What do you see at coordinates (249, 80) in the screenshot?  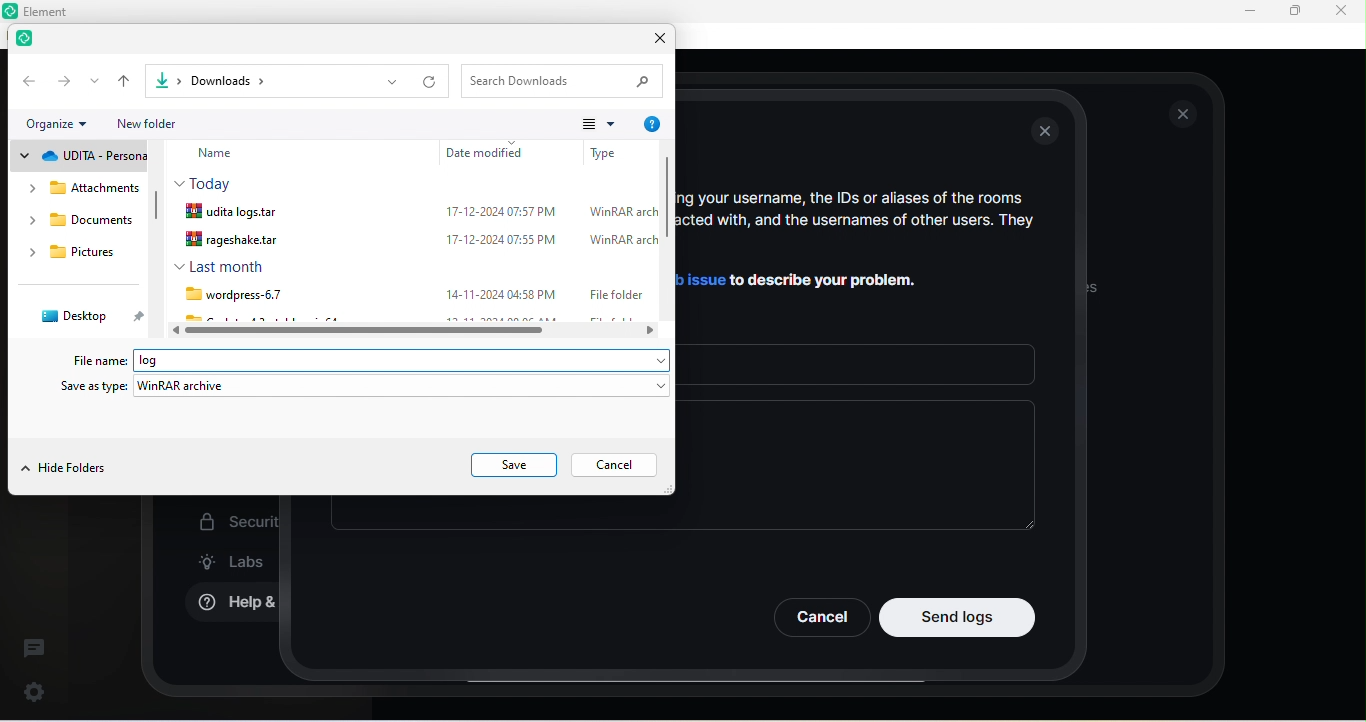 I see `file path` at bounding box center [249, 80].